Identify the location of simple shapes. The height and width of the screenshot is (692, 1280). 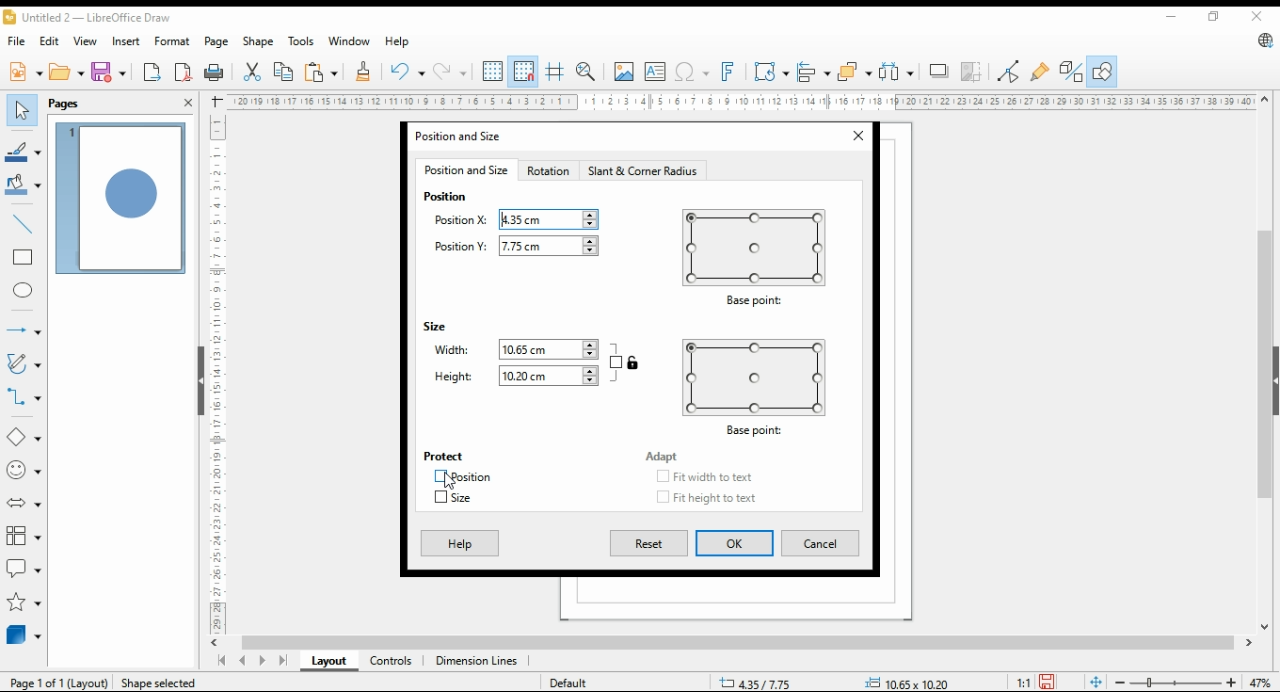
(22, 436).